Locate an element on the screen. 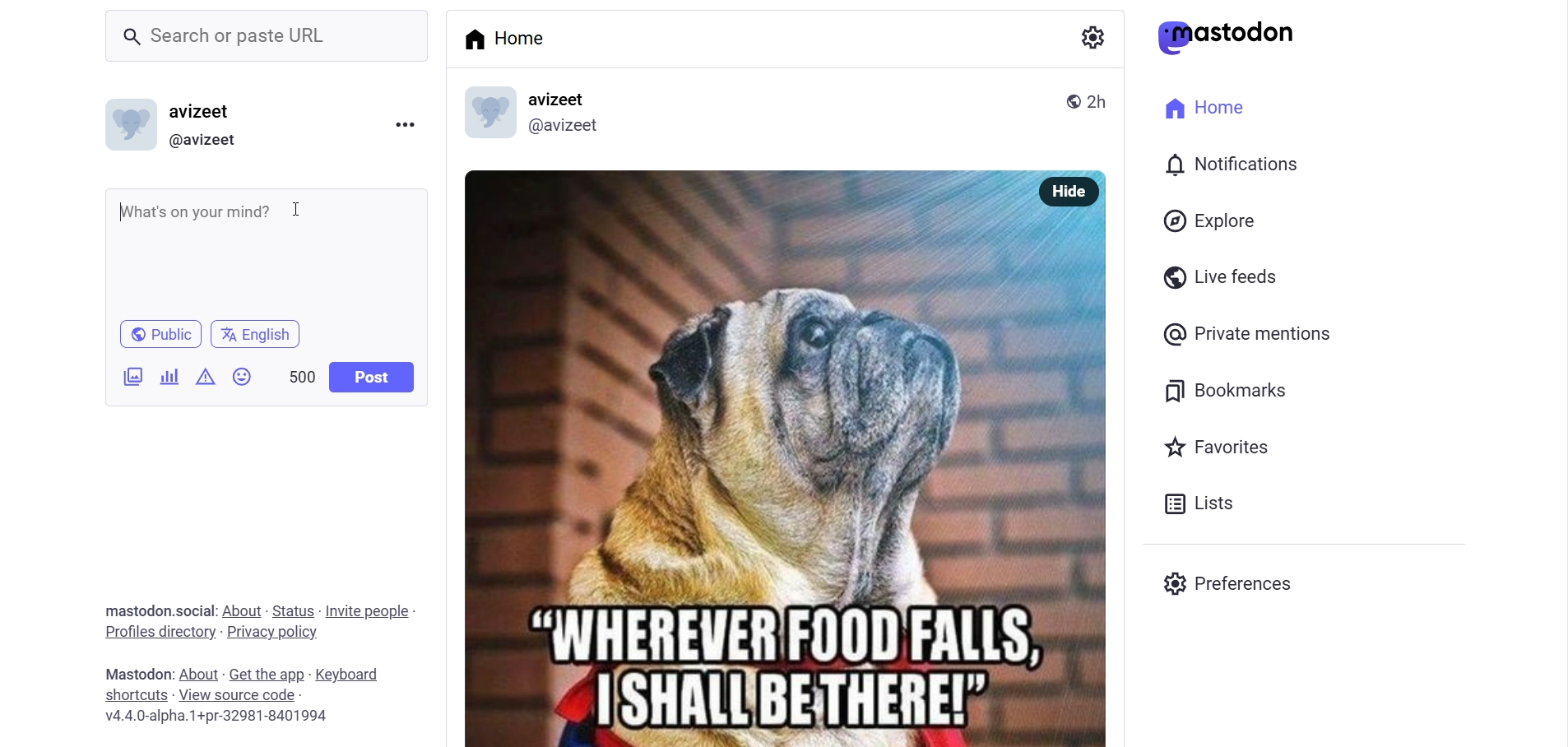 The image size is (1568, 747). more option is located at coordinates (411, 128).